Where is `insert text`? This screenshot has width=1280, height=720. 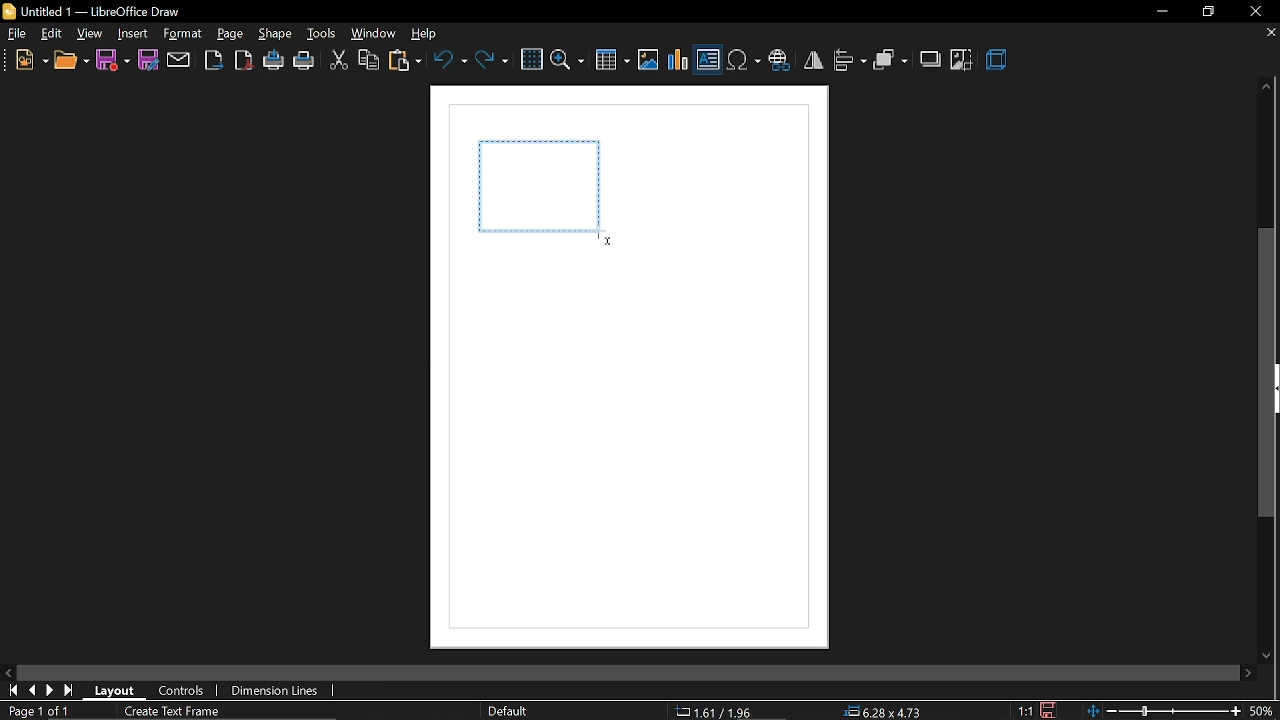 insert text is located at coordinates (708, 62).